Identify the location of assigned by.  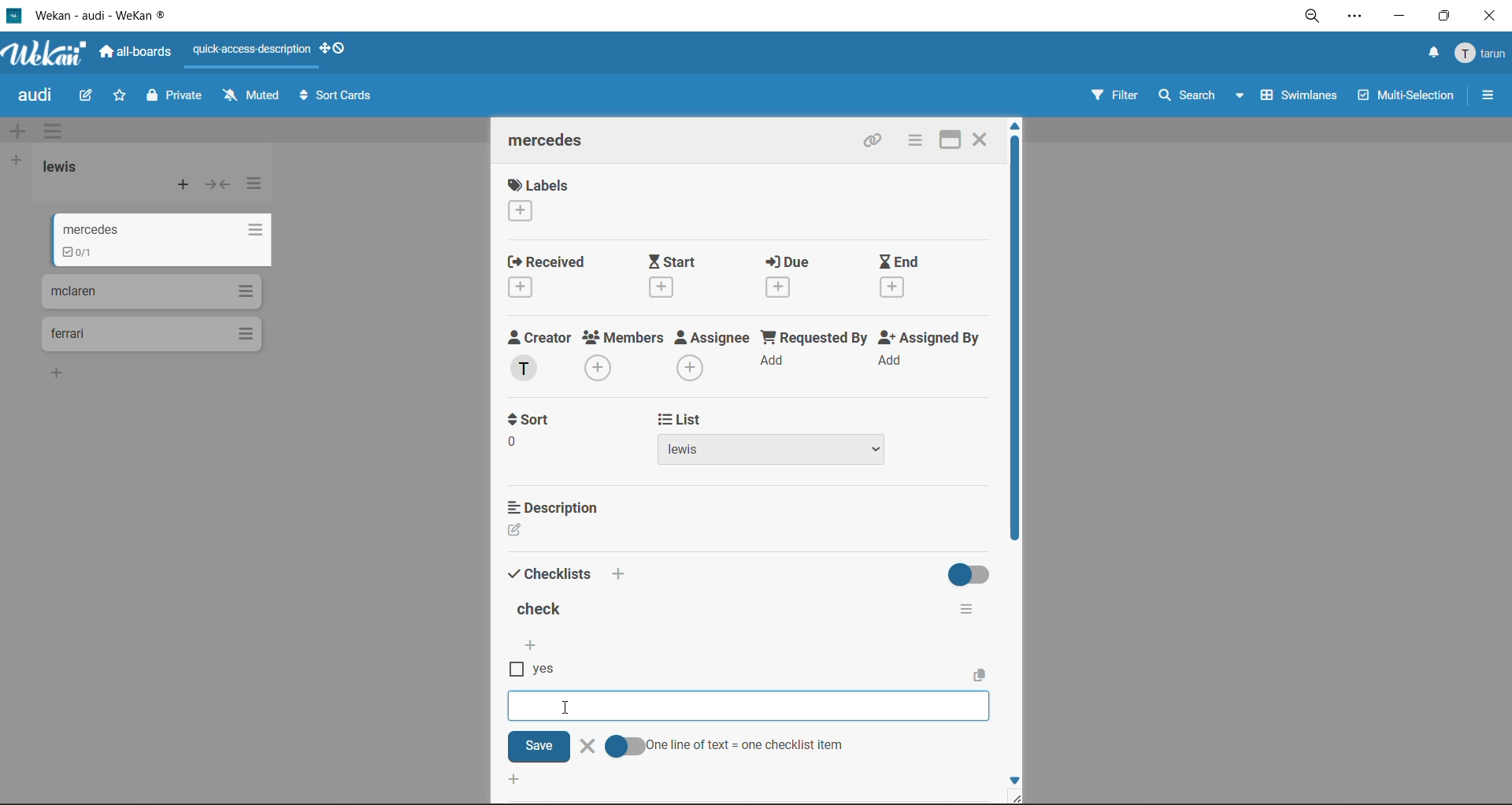
(933, 354).